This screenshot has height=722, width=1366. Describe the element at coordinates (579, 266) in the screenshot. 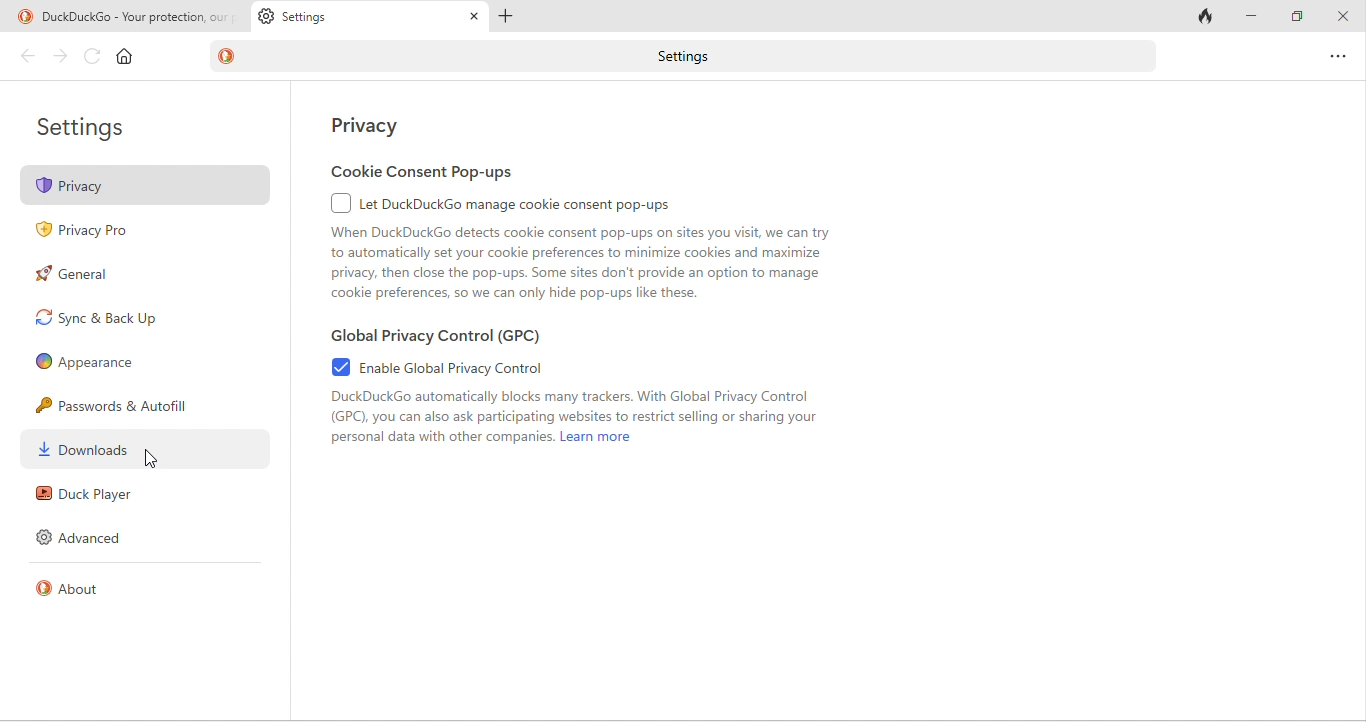

I see `‘When DuckDuckGo detects cookie consent pop-ups on sites you visit, we can try to automatically set your cookie preferences to minimize cookies and maximize privacy, then close the pop-ups. Some sites don't provide an option to manage cookie preferences, so we can only hide pop-ups like these.` at that location.